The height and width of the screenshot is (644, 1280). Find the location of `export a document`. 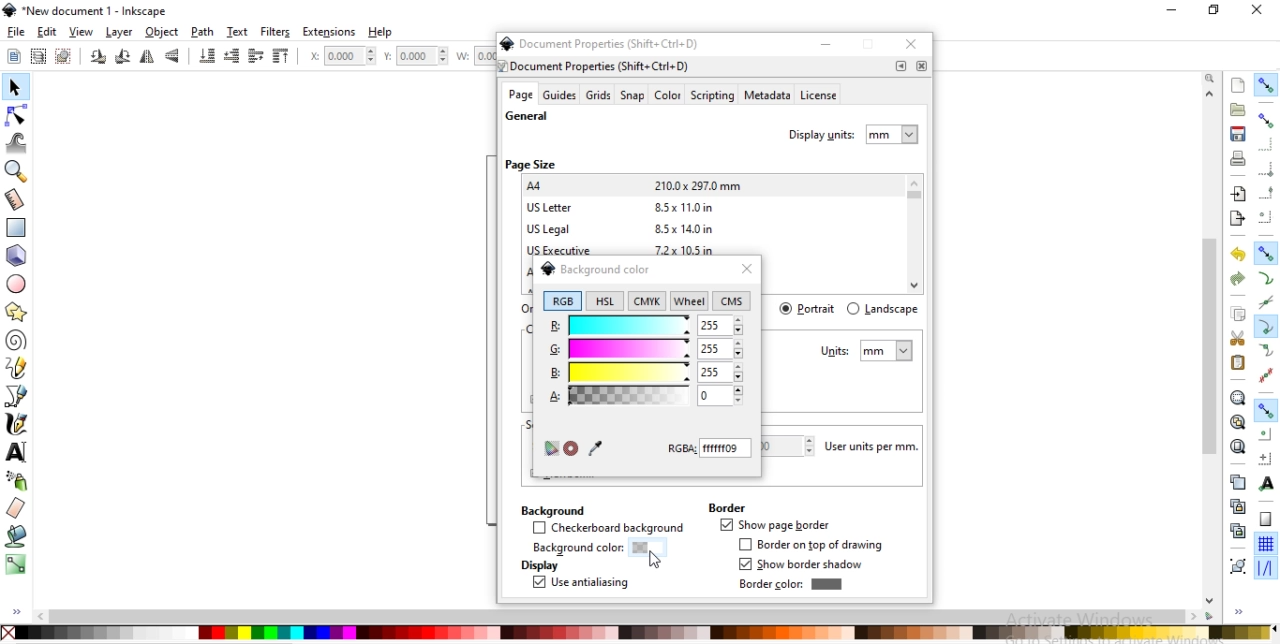

export a document is located at coordinates (1237, 219).